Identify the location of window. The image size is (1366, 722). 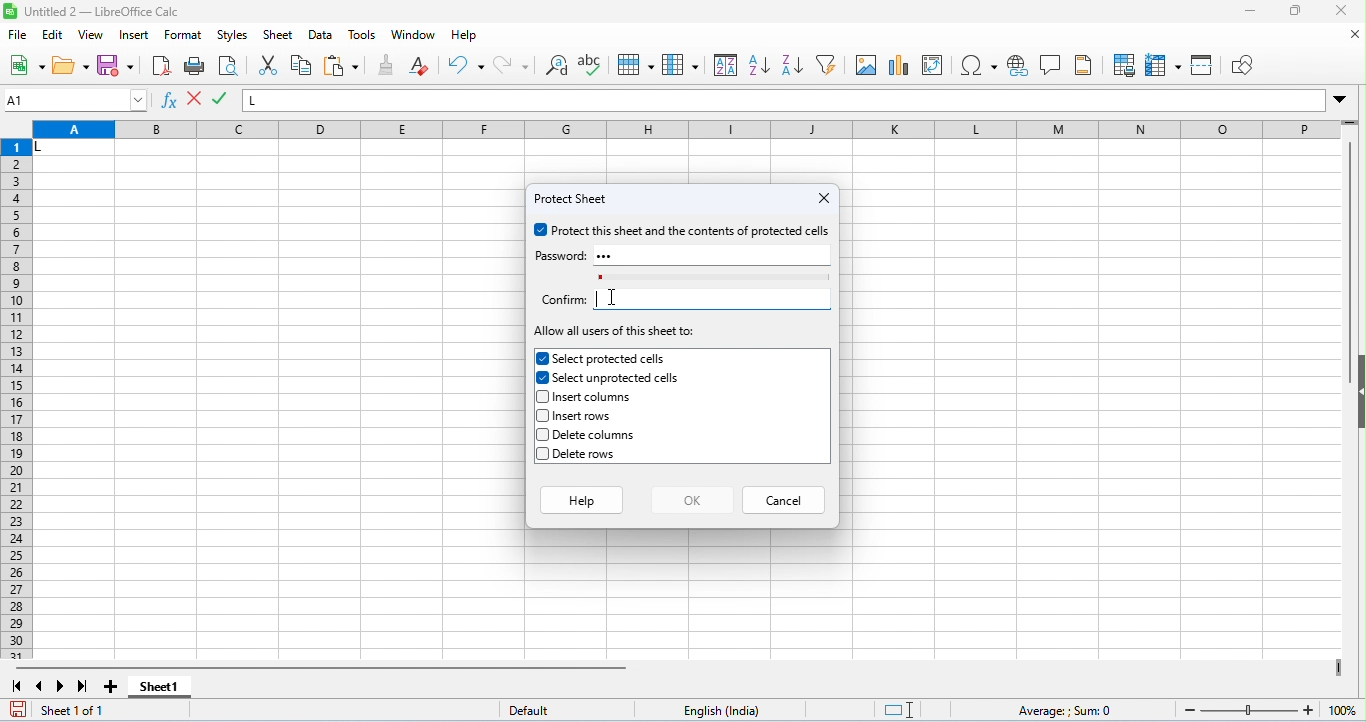
(412, 35).